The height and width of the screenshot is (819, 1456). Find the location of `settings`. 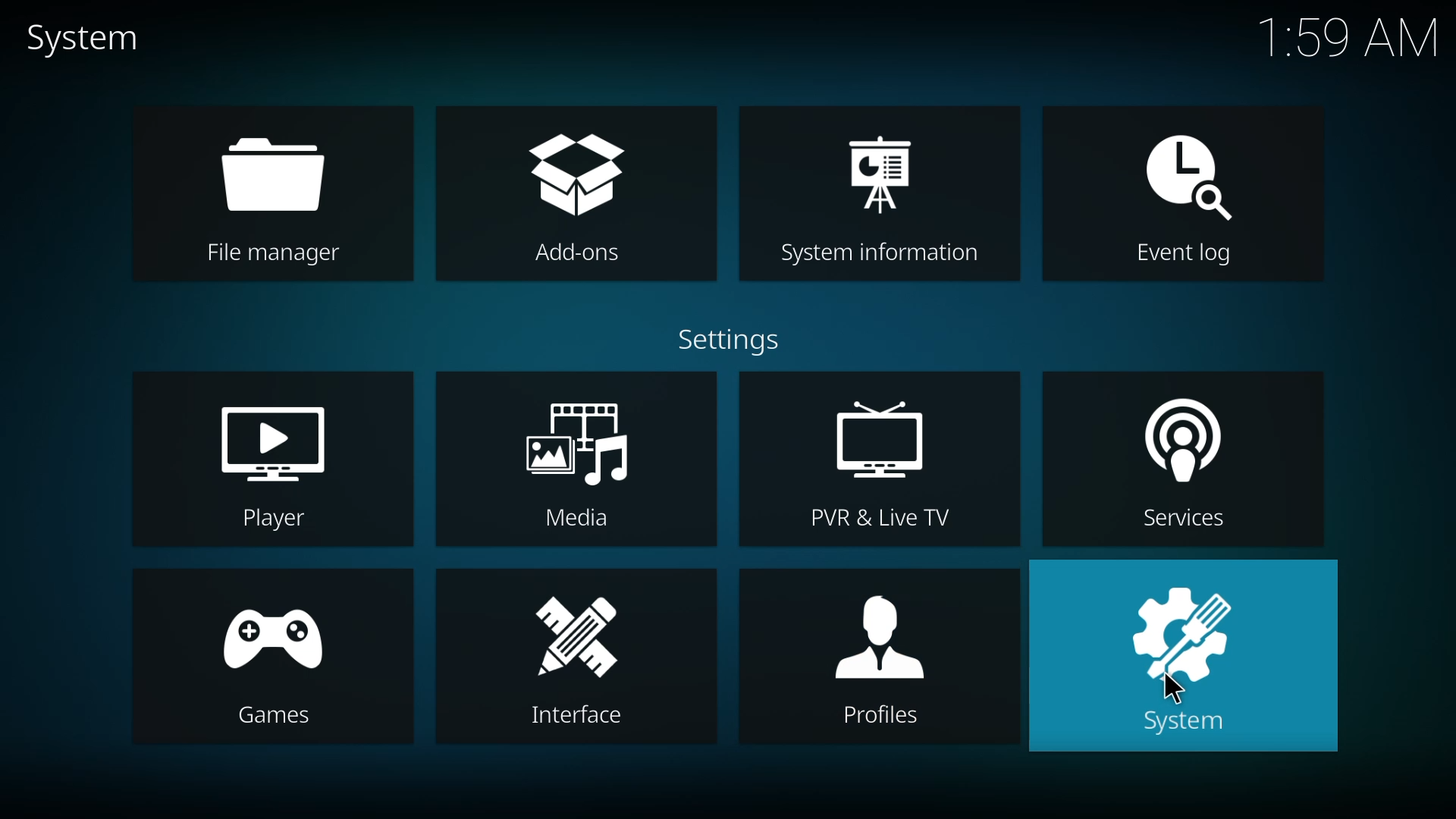

settings is located at coordinates (728, 339).